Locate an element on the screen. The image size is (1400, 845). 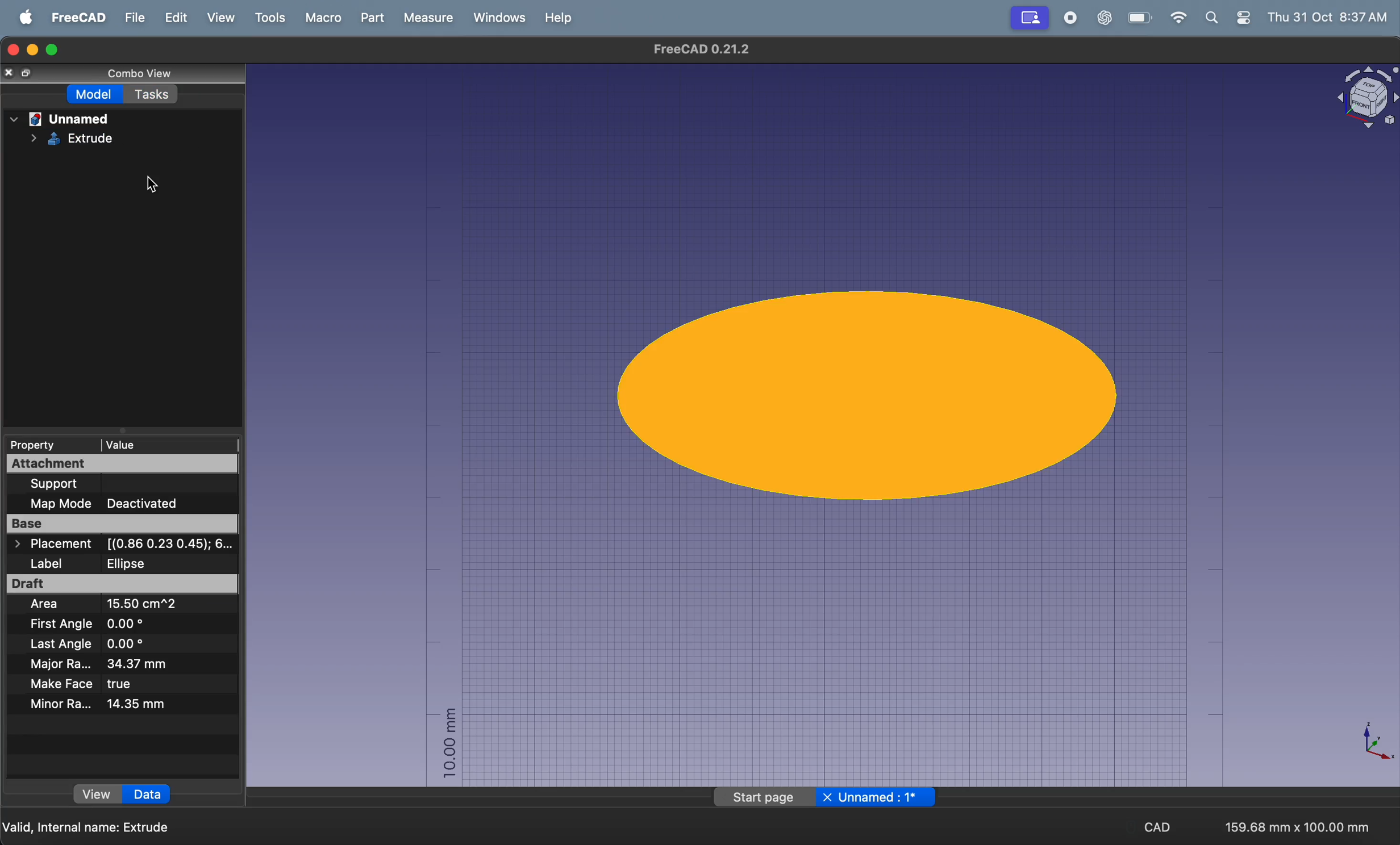
screen mirror is located at coordinates (1029, 19).